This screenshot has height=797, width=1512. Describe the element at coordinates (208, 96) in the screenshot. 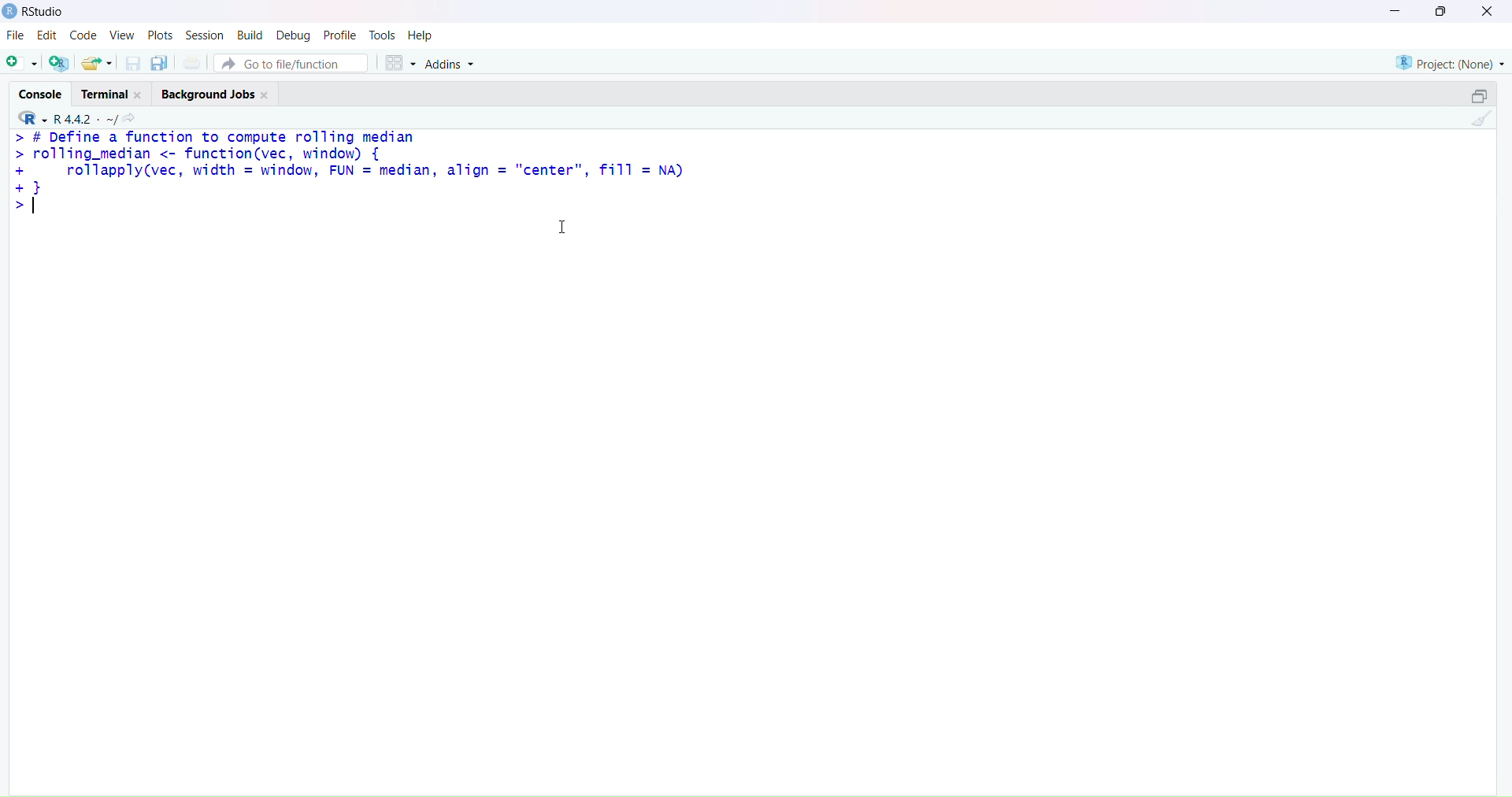

I see `background jobs` at that location.